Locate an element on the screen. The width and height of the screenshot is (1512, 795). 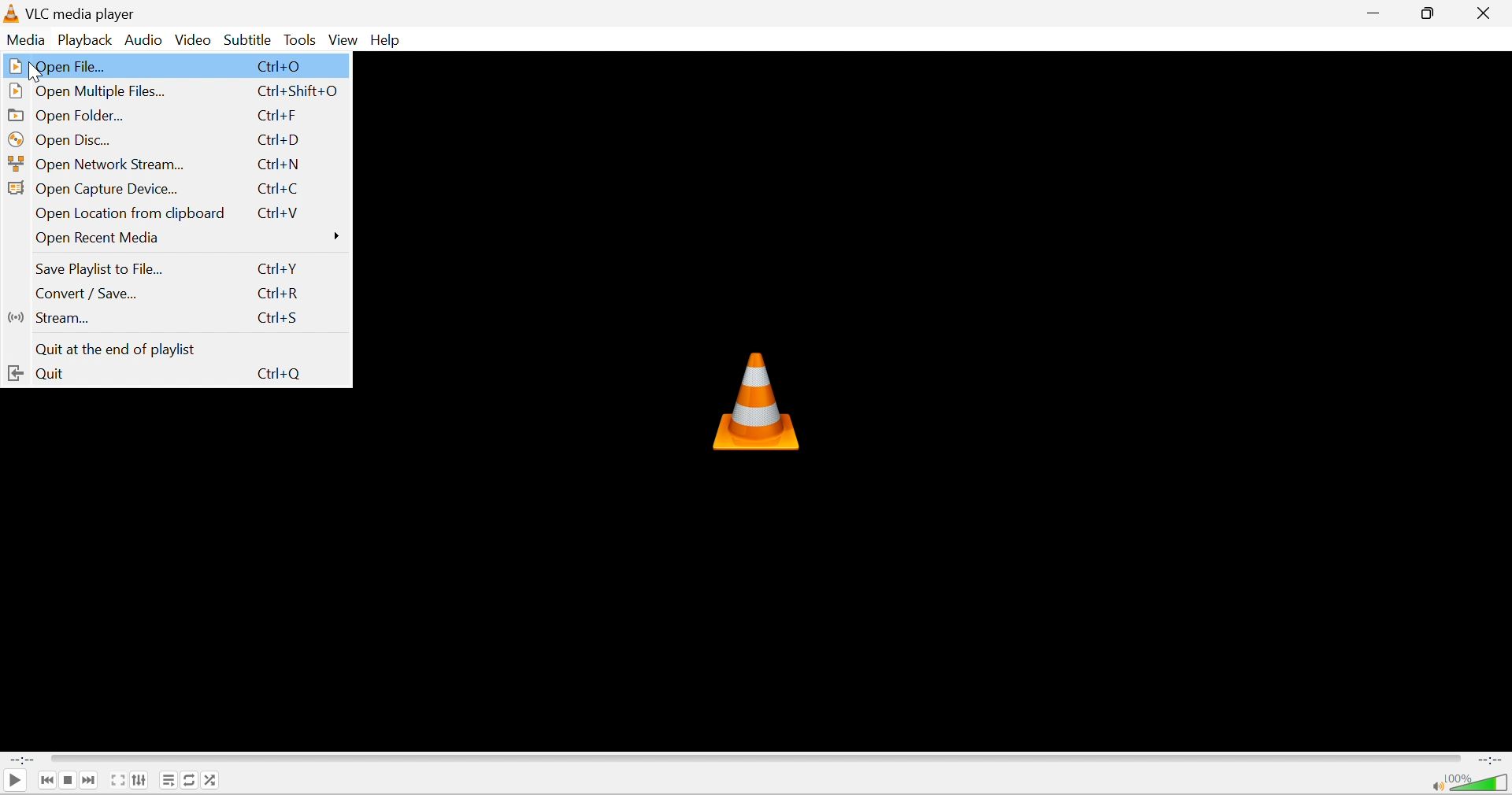
cursor is located at coordinates (37, 72).